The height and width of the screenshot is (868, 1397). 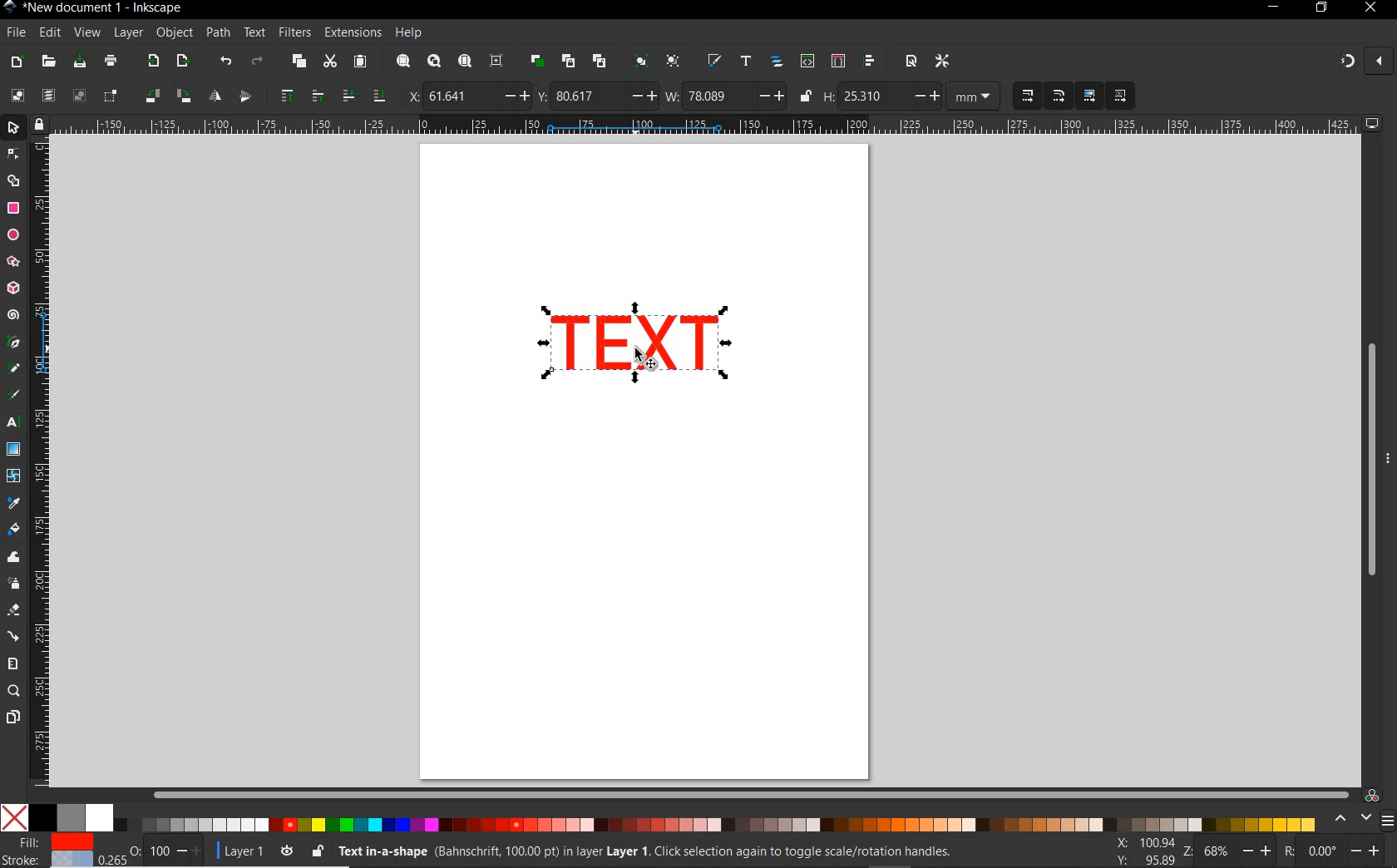 What do you see at coordinates (153, 850) in the screenshot?
I see `opacity` at bounding box center [153, 850].